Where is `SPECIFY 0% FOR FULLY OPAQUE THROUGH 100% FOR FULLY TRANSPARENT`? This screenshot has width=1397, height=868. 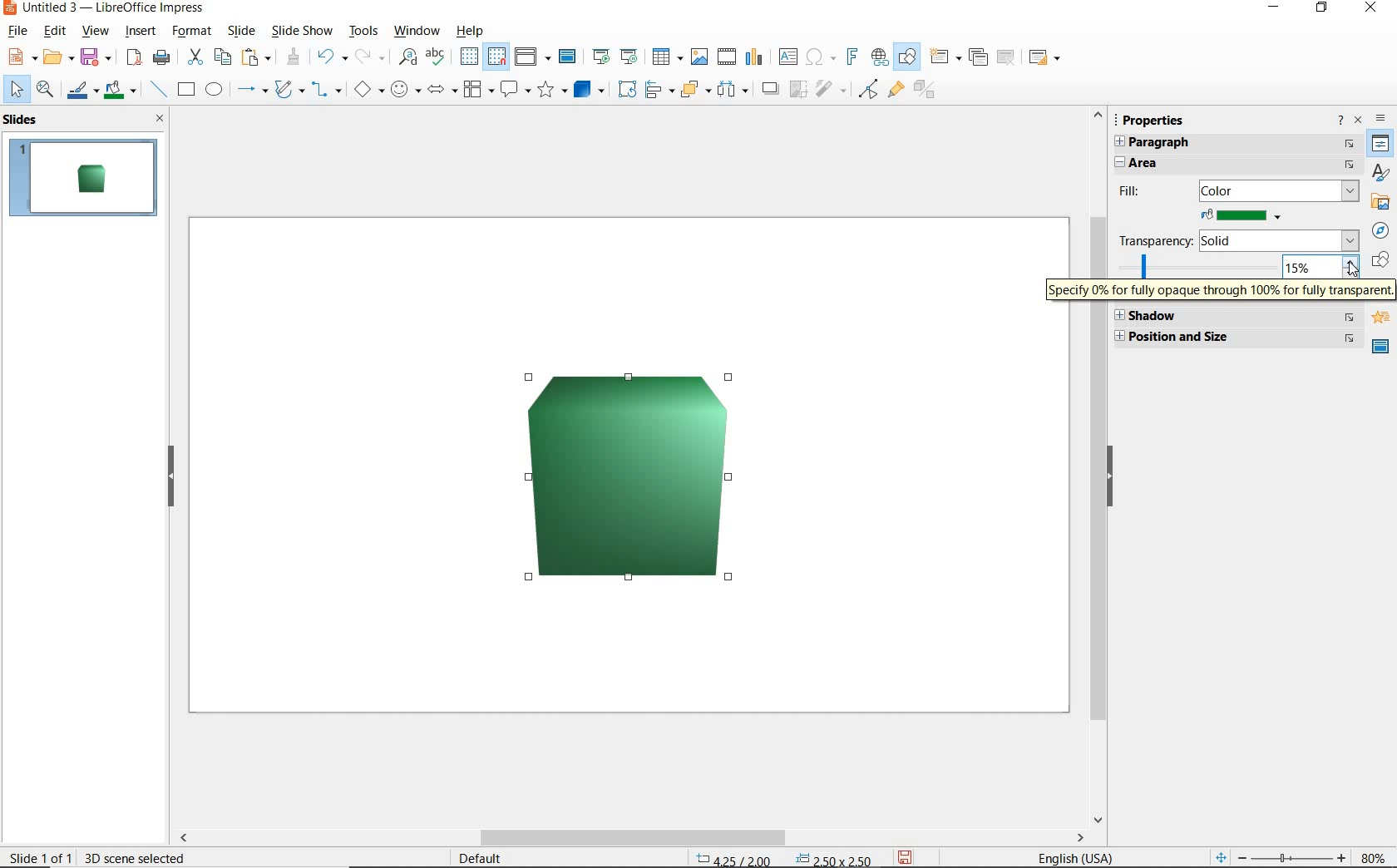
SPECIFY 0% FOR FULLY OPAQUE THROUGH 100% FOR FULLY TRANSPARENT is located at coordinates (1218, 293).